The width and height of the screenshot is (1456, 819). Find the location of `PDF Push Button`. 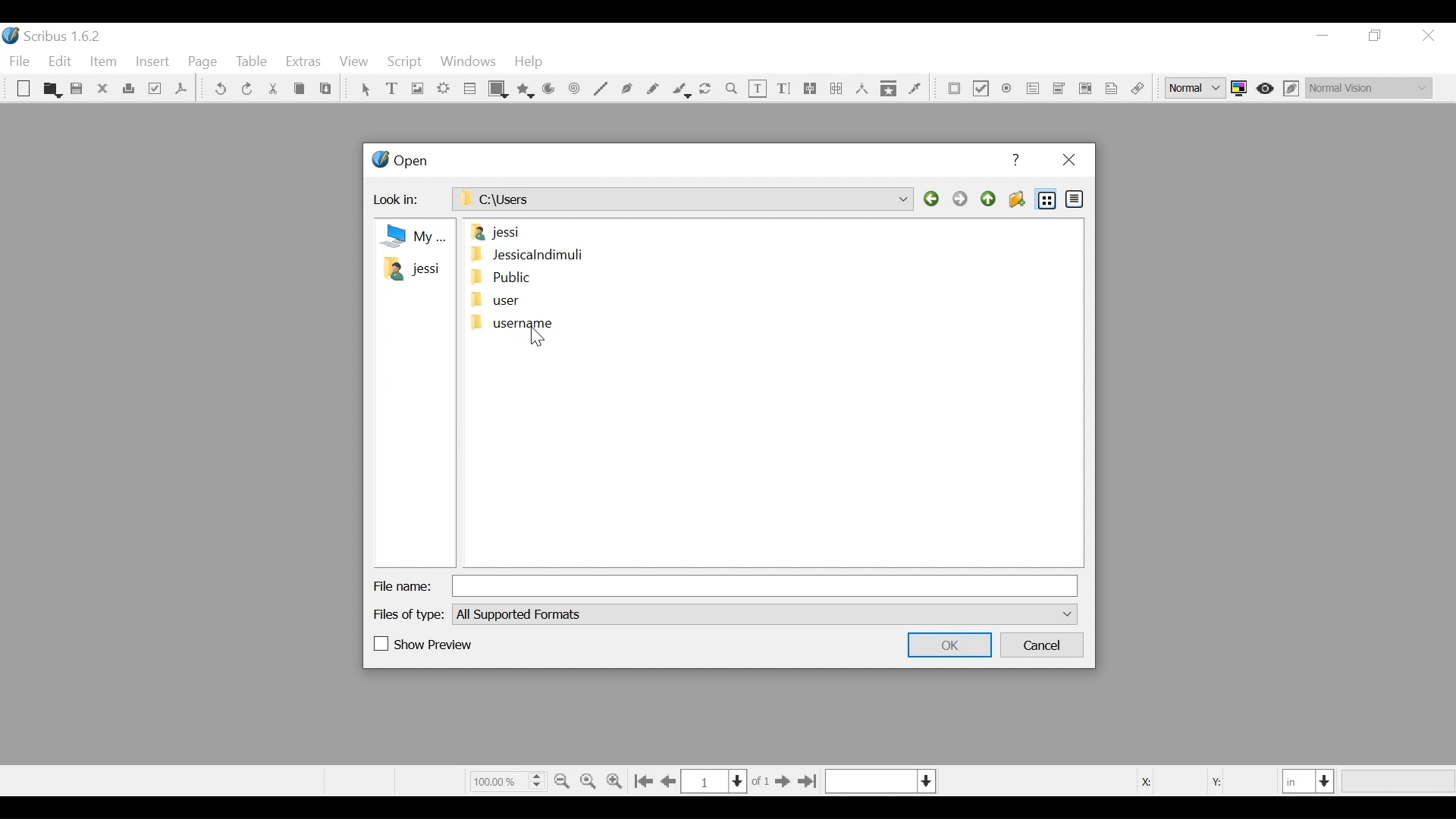

PDF Push Button is located at coordinates (955, 89).